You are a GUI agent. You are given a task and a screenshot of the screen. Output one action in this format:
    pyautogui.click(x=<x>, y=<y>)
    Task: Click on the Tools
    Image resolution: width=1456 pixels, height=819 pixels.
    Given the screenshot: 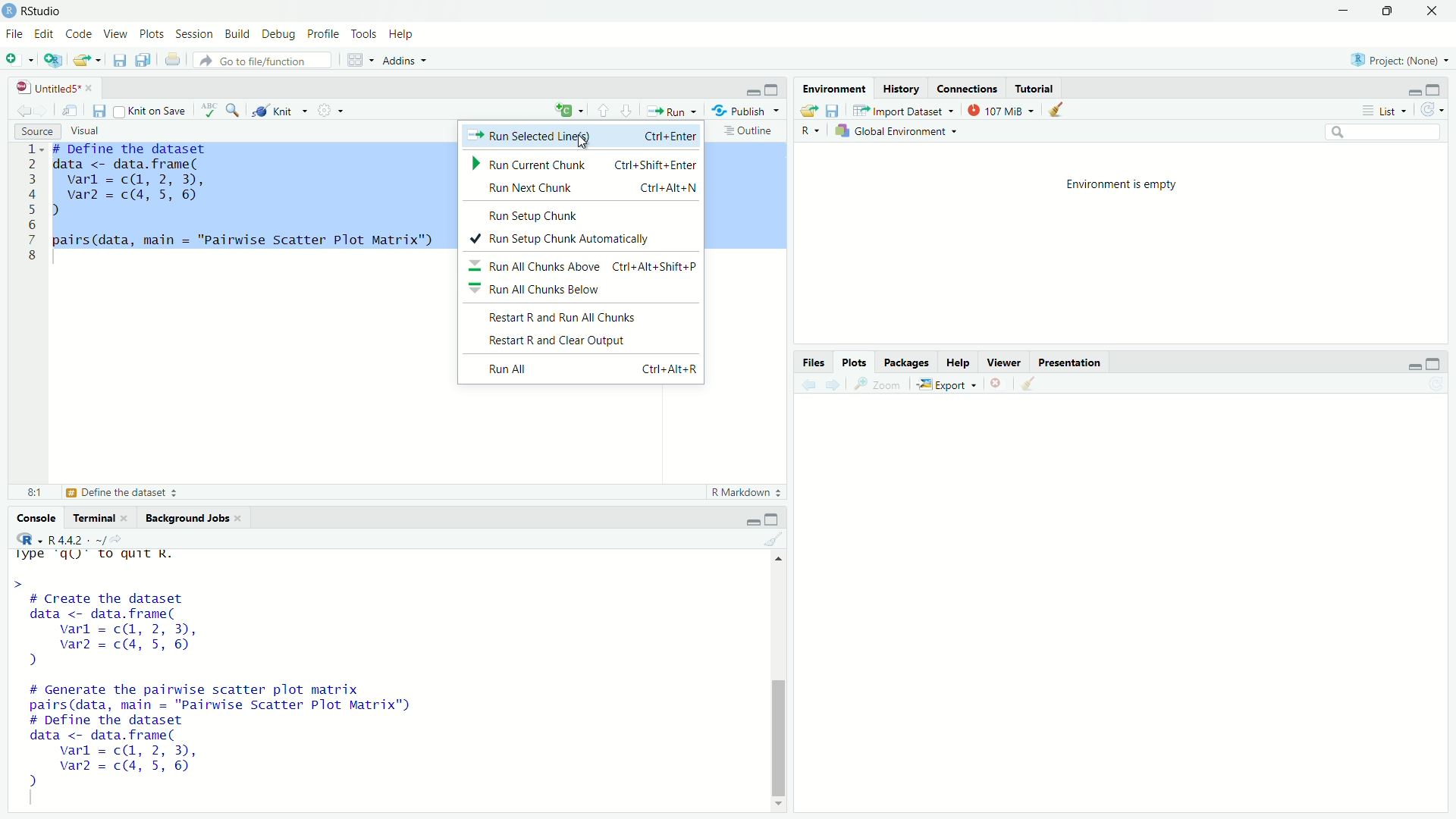 What is the action you would take?
    pyautogui.click(x=366, y=33)
    